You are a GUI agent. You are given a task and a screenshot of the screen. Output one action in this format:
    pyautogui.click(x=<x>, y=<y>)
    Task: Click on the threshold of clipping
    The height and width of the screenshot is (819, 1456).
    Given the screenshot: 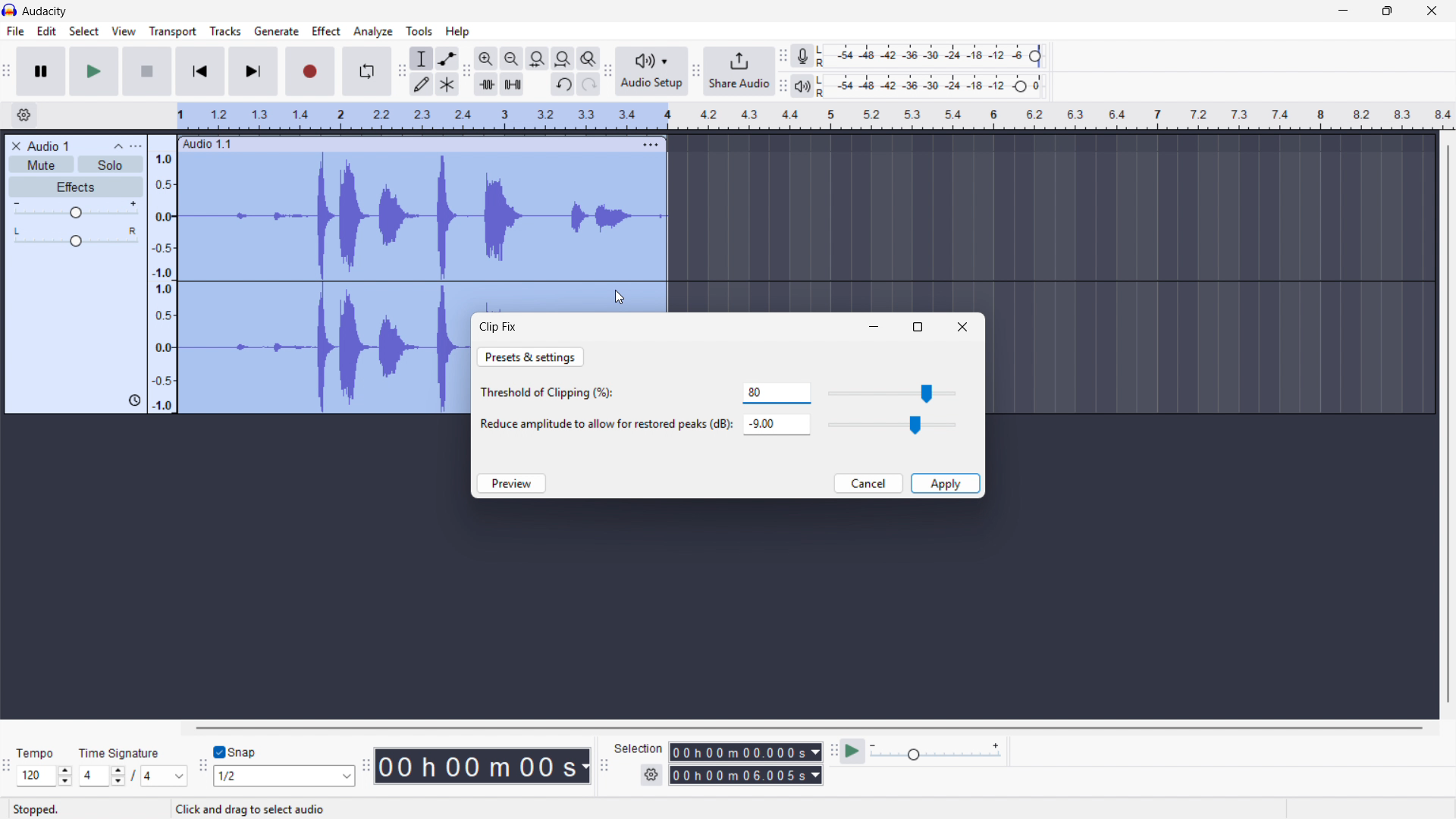 What is the action you would take?
    pyautogui.click(x=554, y=394)
    